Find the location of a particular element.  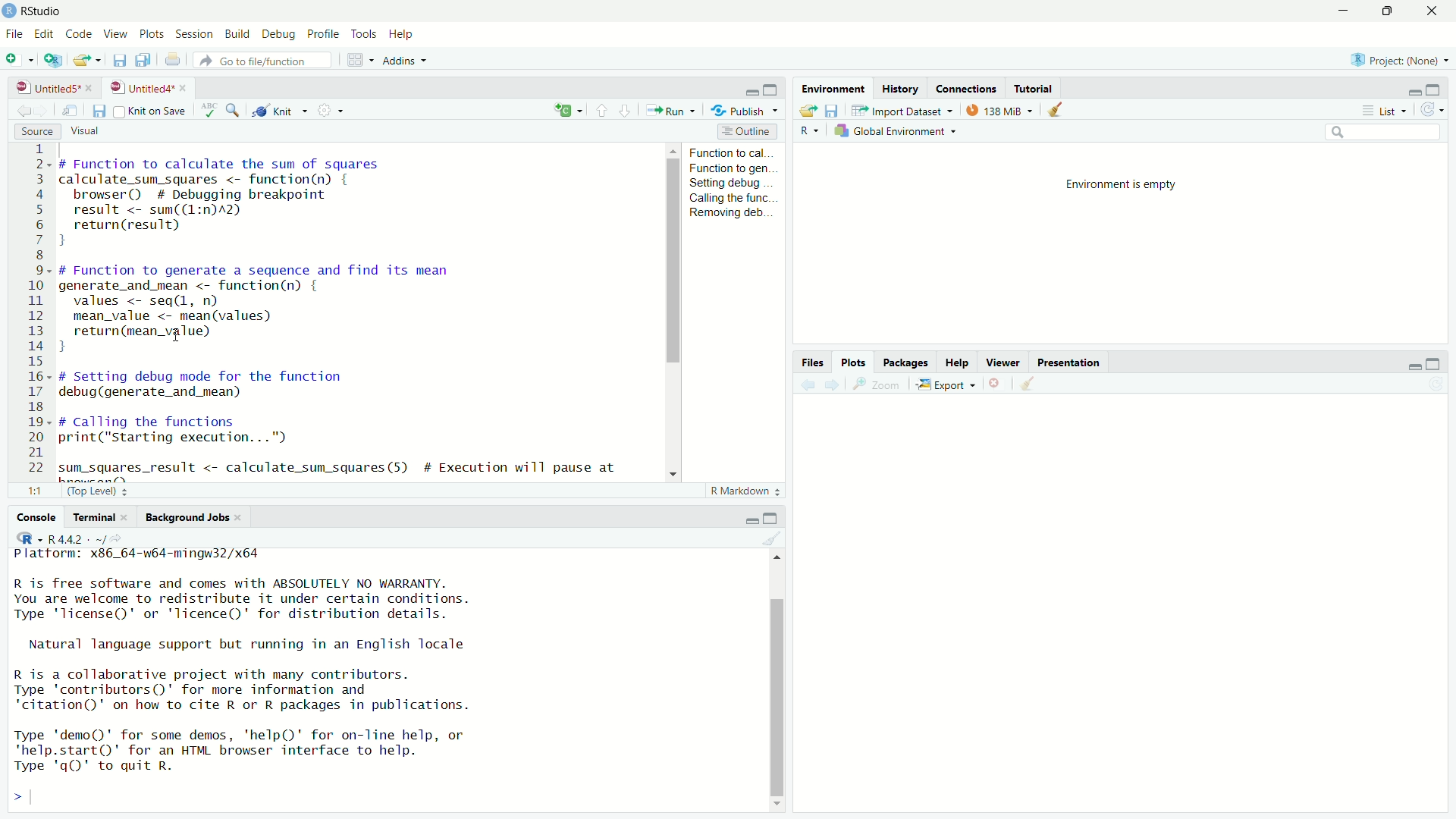

history is located at coordinates (898, 86).